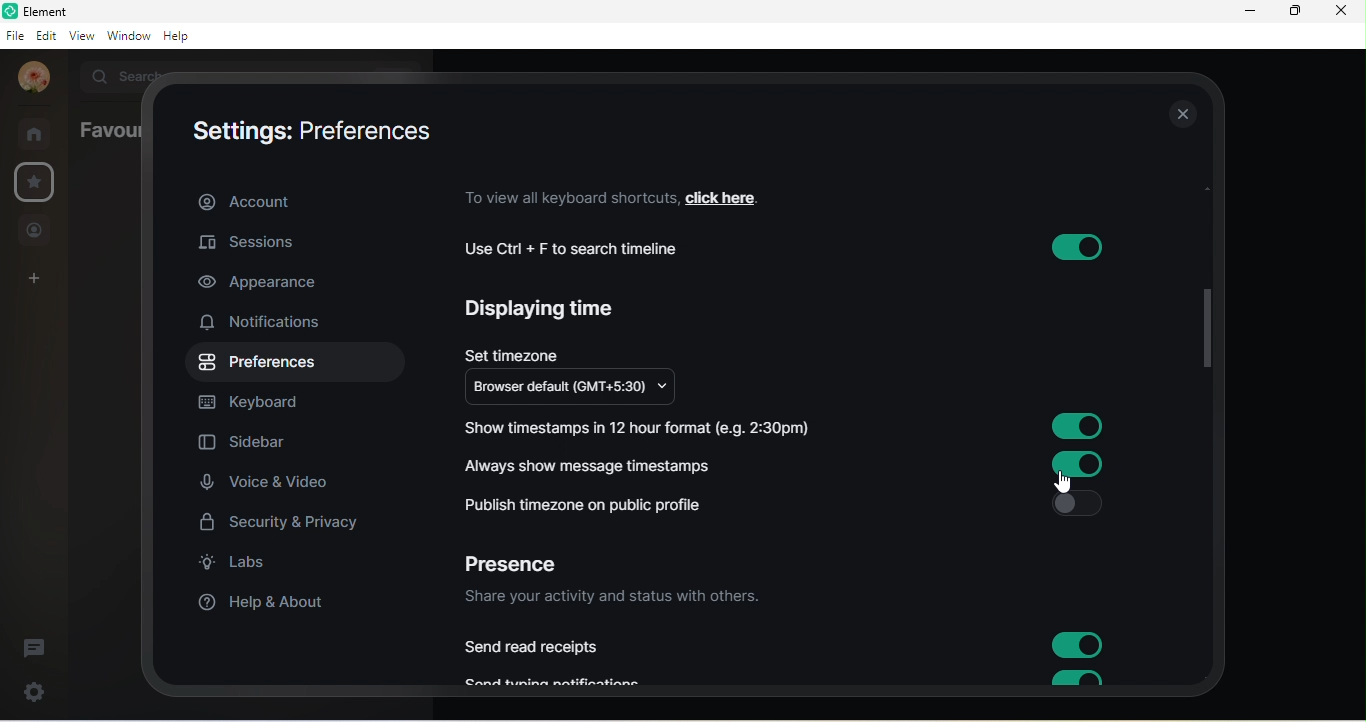 The width and height of the screenshot is (1366, 722). Describe the element at coordinates (27, 692) in the screenshot. I see `quick settings` at that location.